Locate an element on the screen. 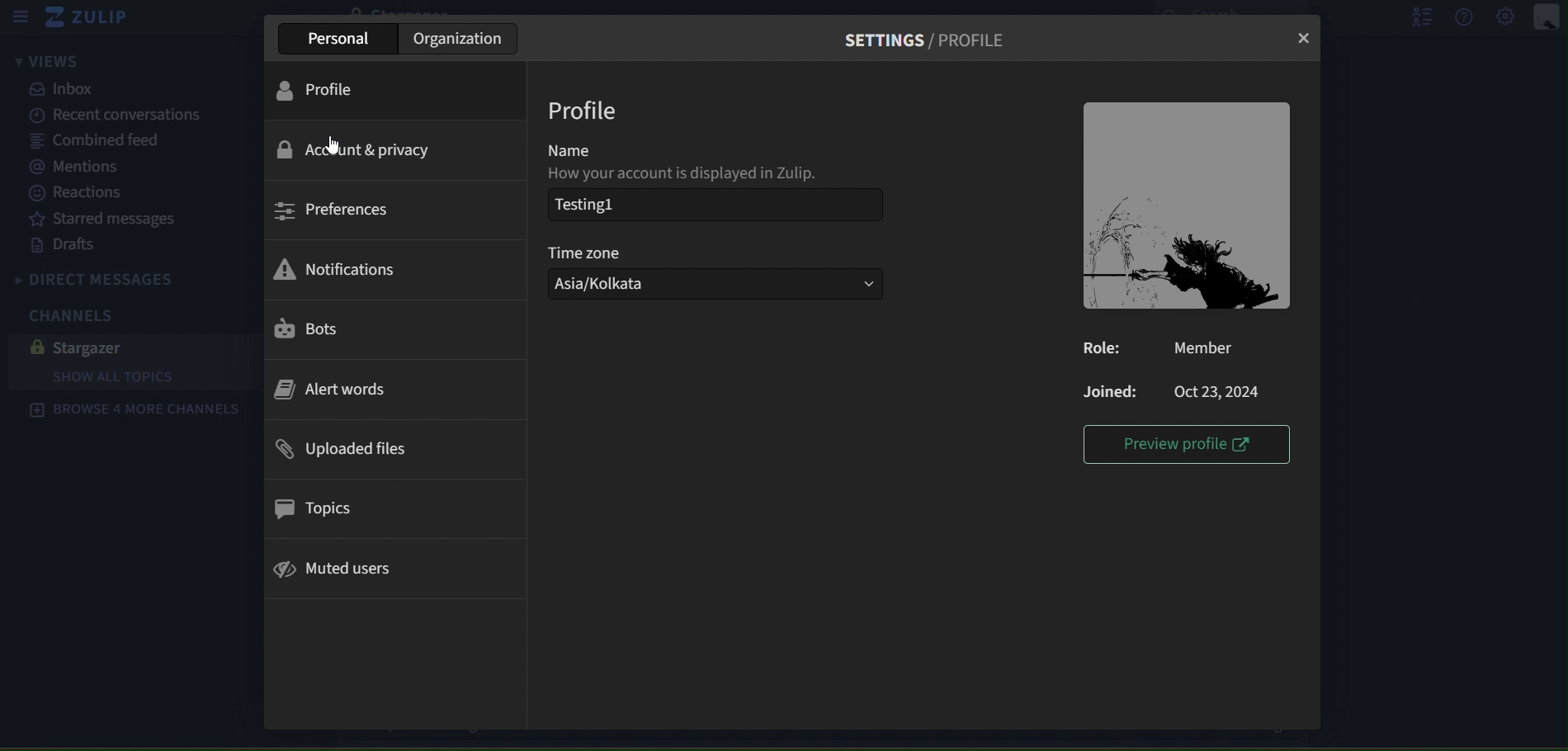 The width and height of the screenshot is (1568, 751). image is located at coordinates (1188, 206).